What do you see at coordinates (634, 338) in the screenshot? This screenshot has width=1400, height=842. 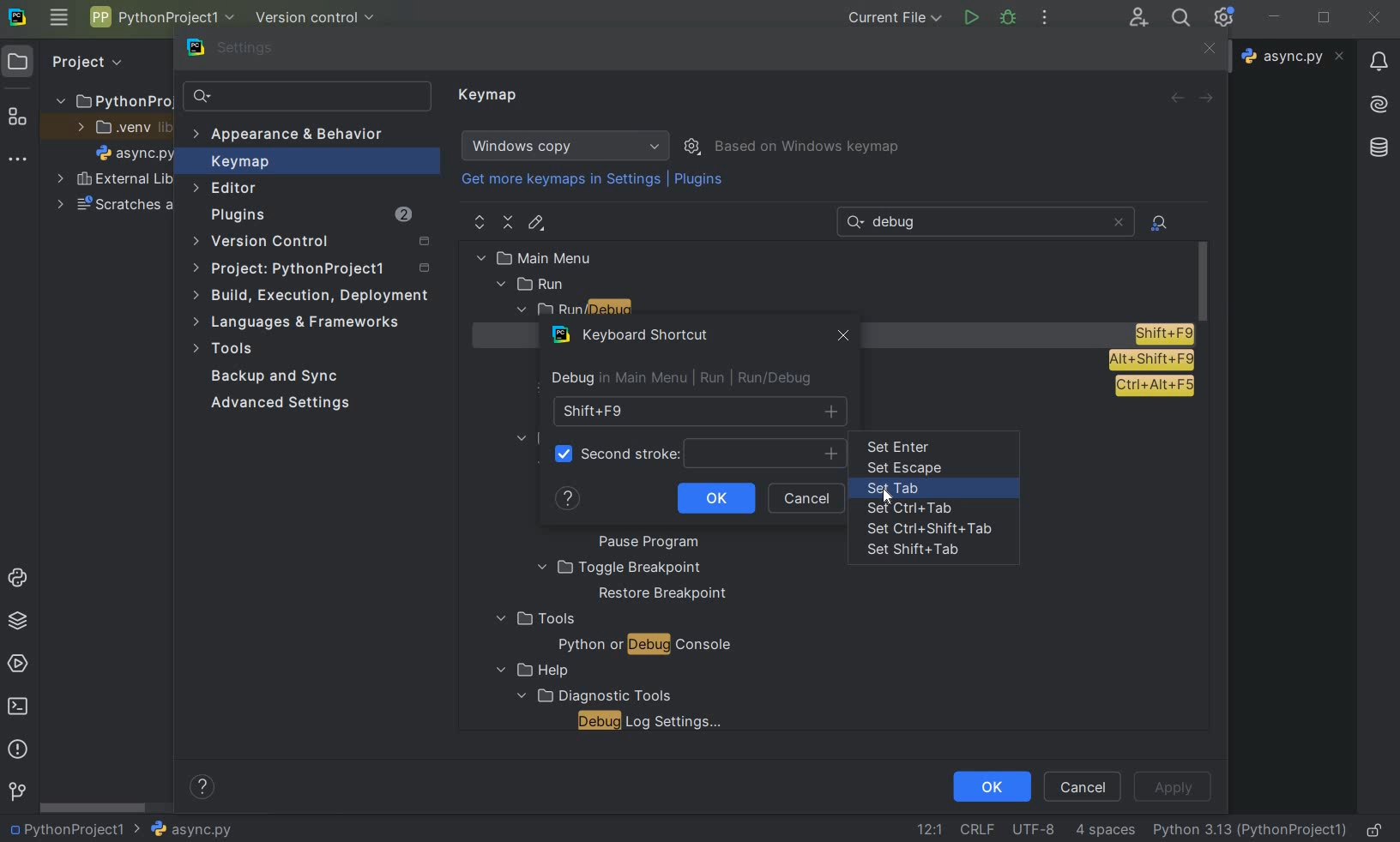 I see `keyboard shortcut` at bounding box center [634, 338].